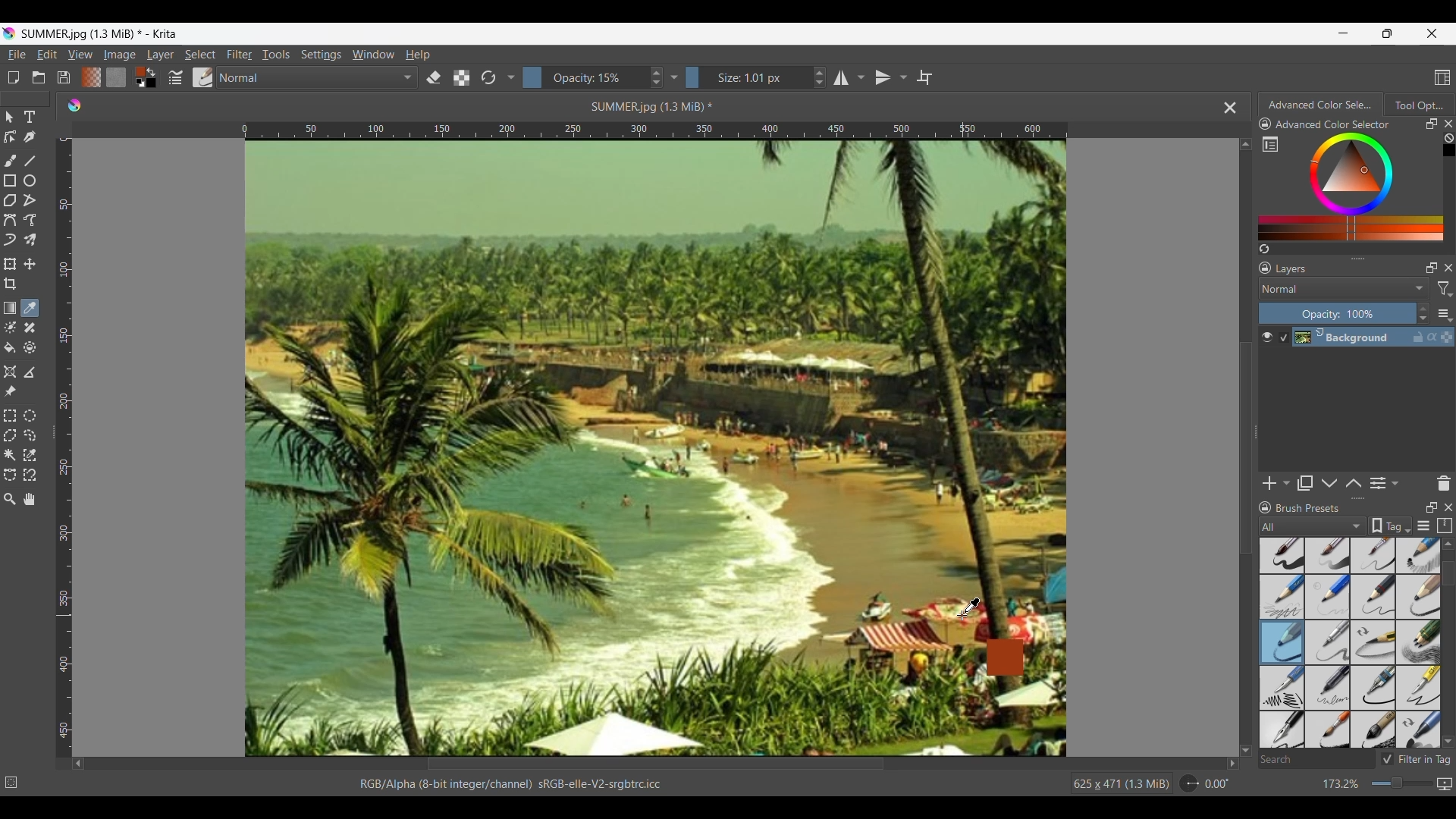 This screenshot has width=1456, height=819. Describe the element at coordinates (418, 54) in the screenshot. I see `Help menu` at that location.